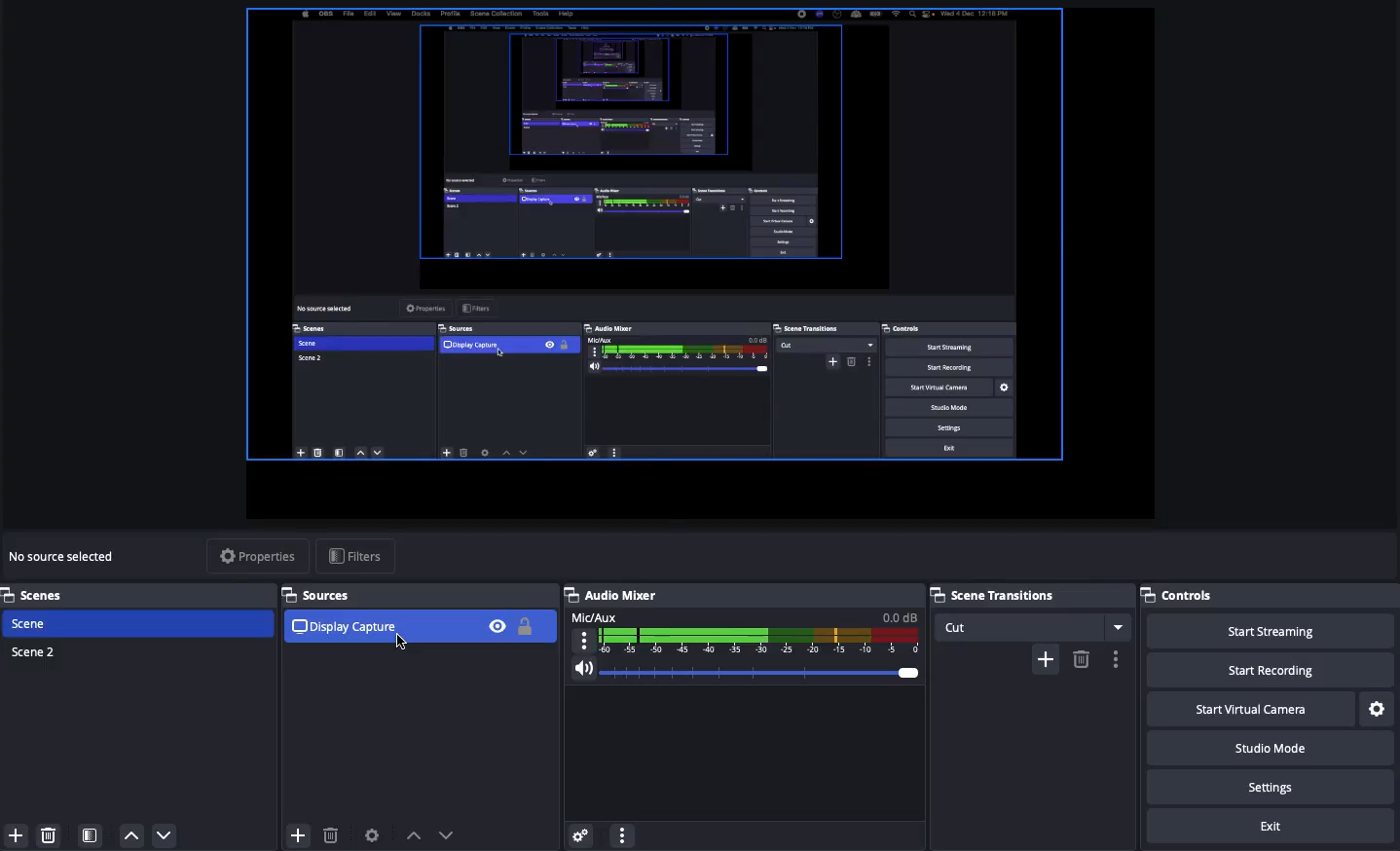 The height and width of the screenshot is (851, 1400). I want to click on previous, so click(414, 835).